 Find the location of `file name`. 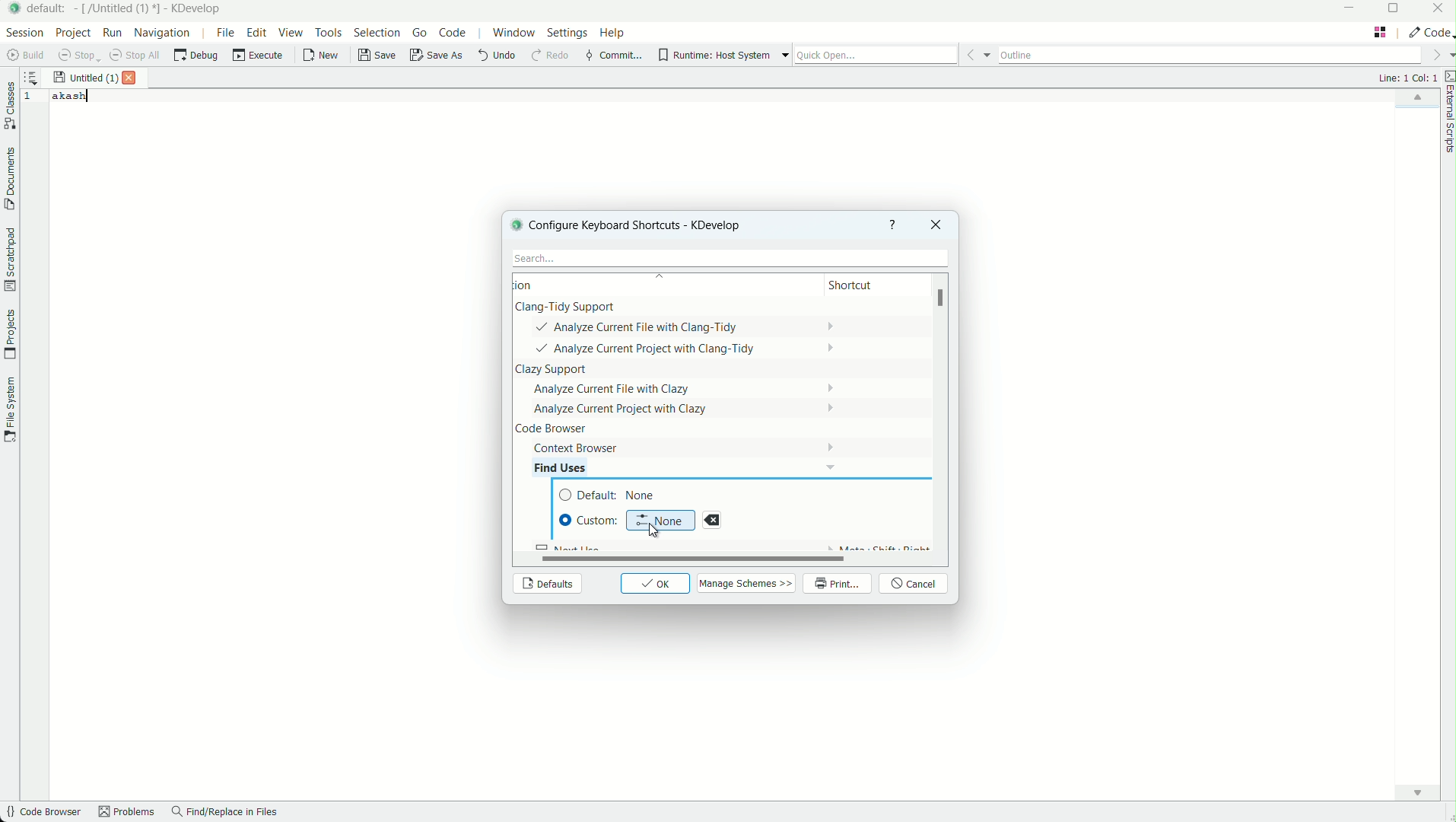

file name is located at coordinates (119, 8).